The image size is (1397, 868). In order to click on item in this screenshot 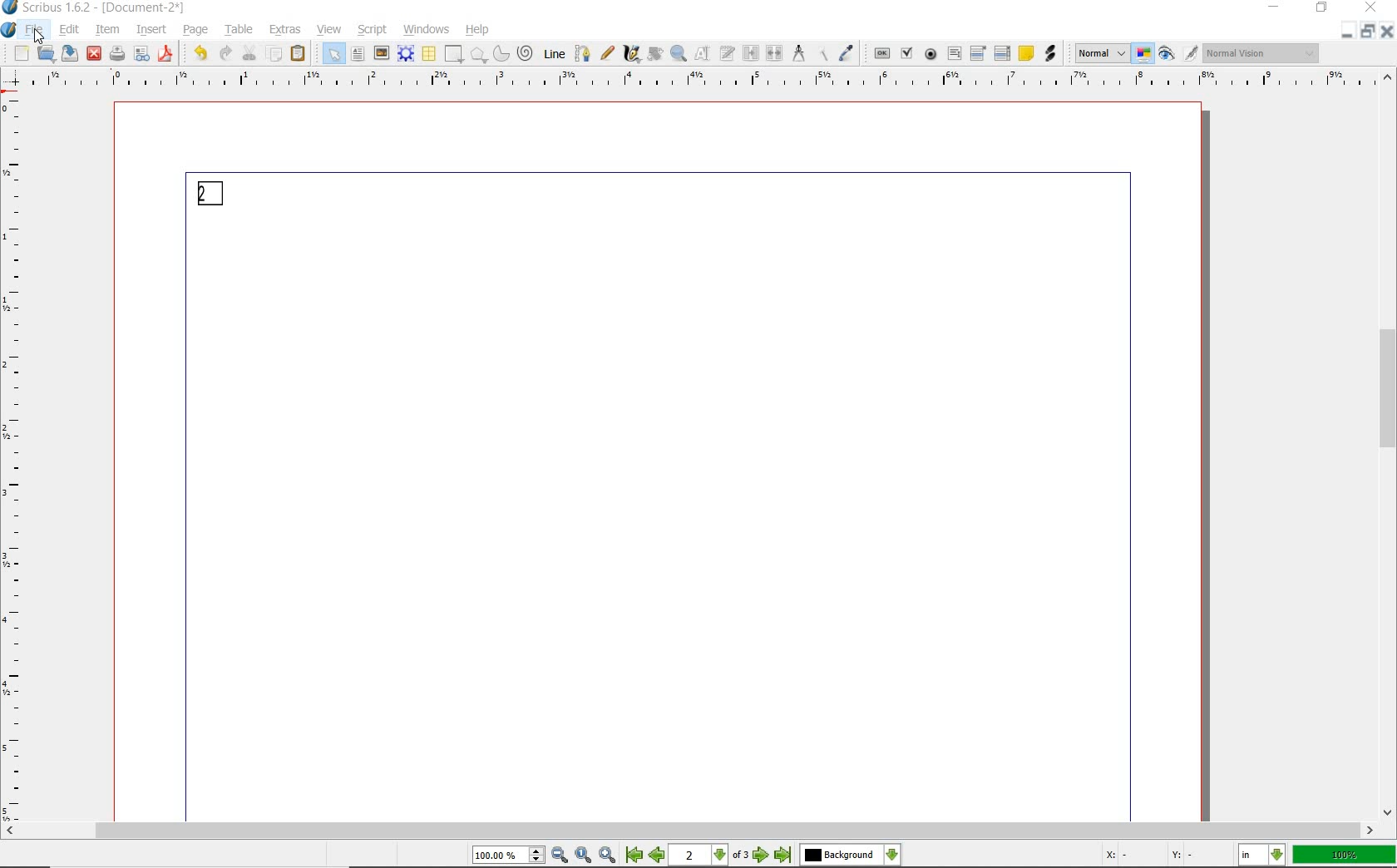, I will do `click(107, 30)`.